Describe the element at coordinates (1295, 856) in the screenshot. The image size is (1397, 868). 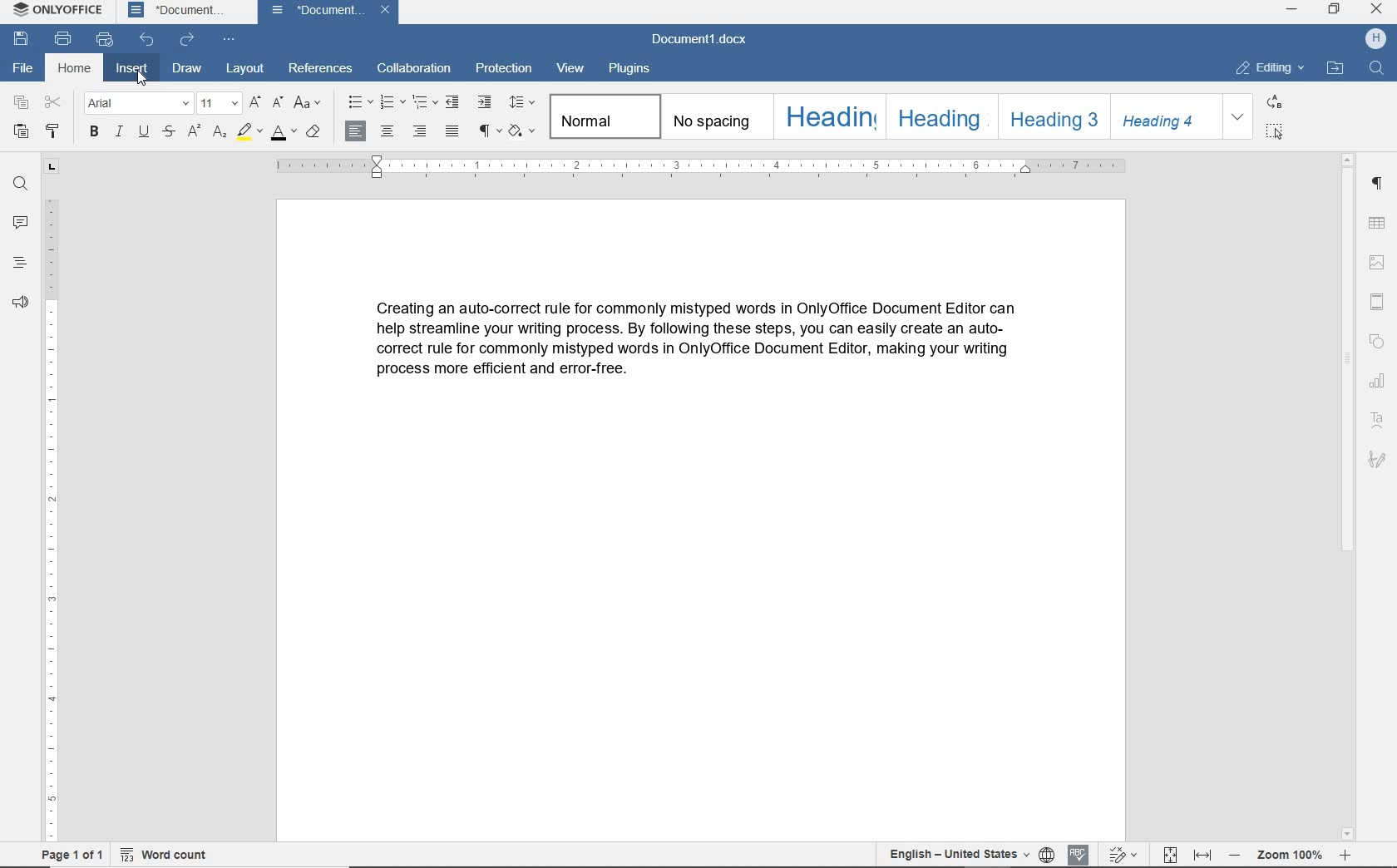
I see `zoom out or zoom in` at that location.